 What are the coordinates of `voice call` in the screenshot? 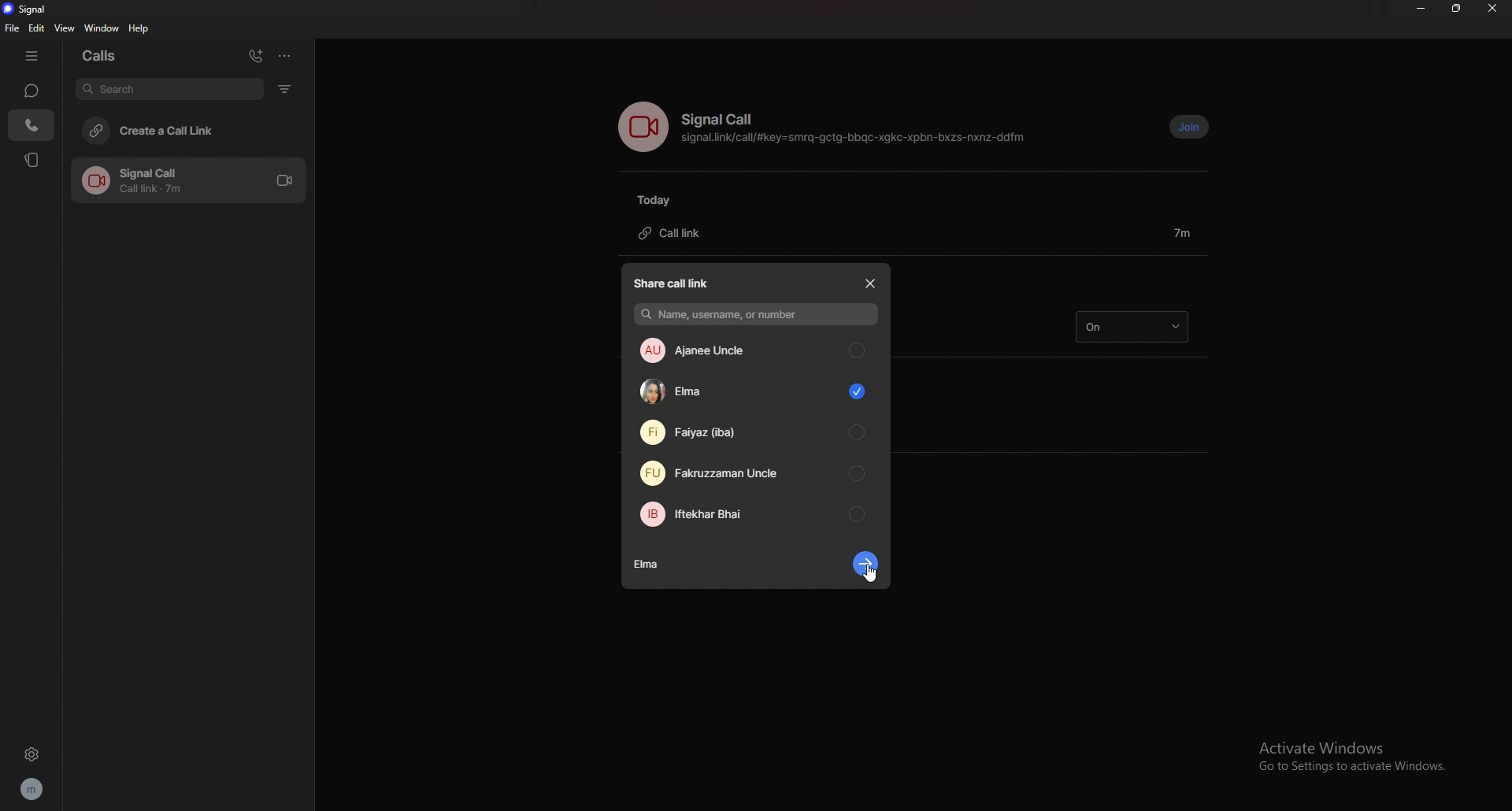 It's located at (643, 127).